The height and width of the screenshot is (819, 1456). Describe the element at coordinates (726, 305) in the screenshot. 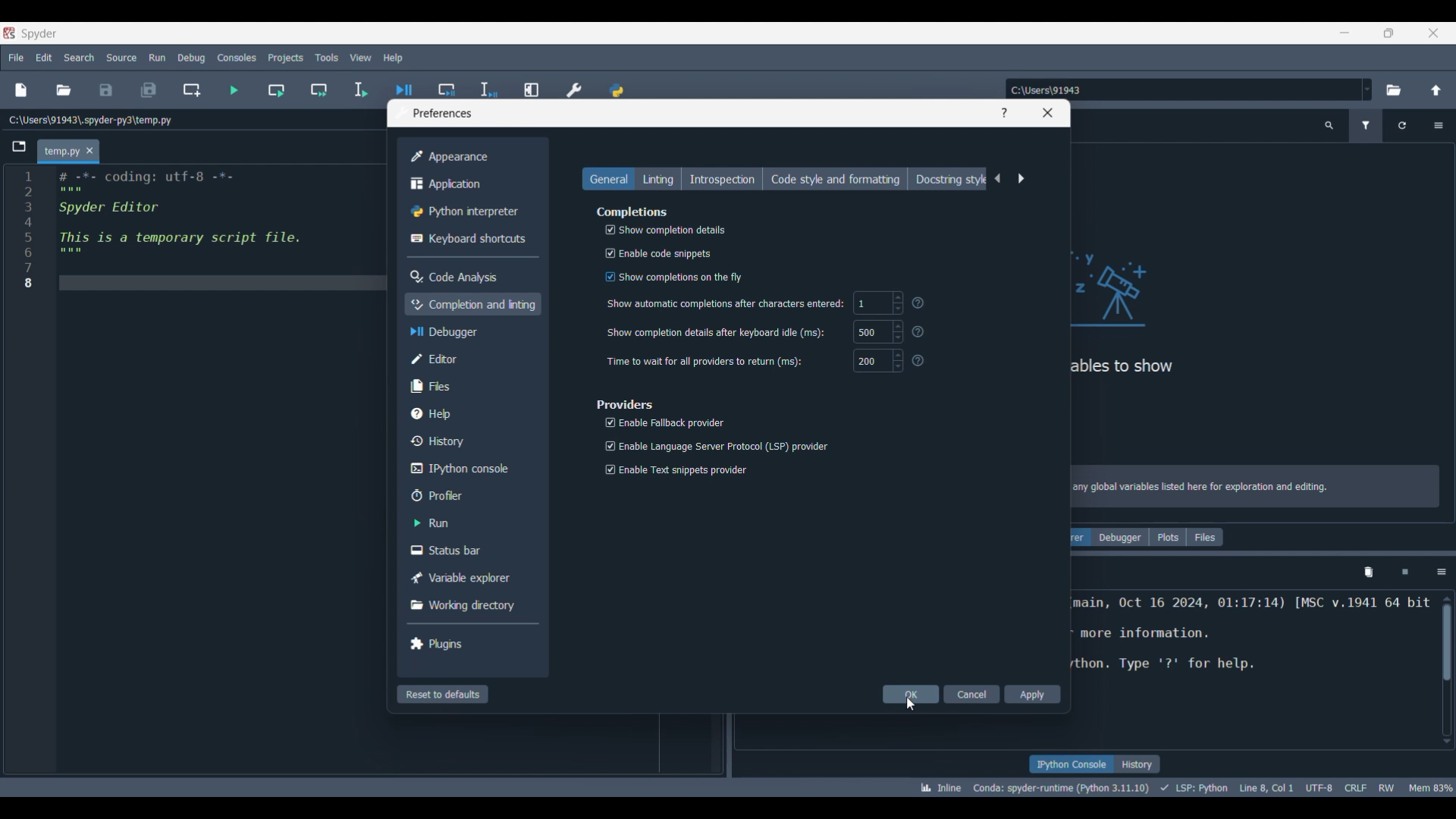

I see `‘Show automatic completions after characters entered` at that location.